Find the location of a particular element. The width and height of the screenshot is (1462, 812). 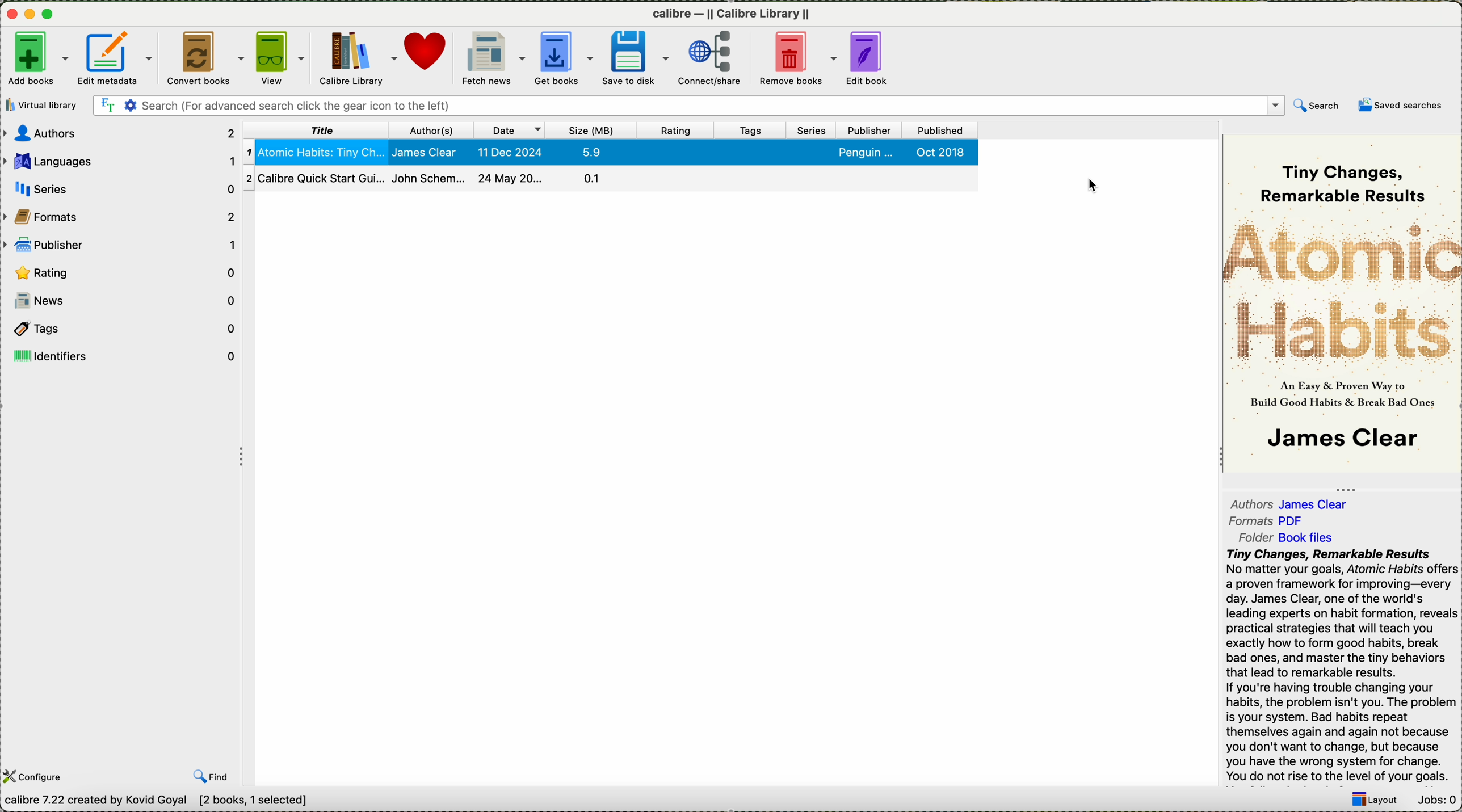

title is located at coordinates (316, 131).